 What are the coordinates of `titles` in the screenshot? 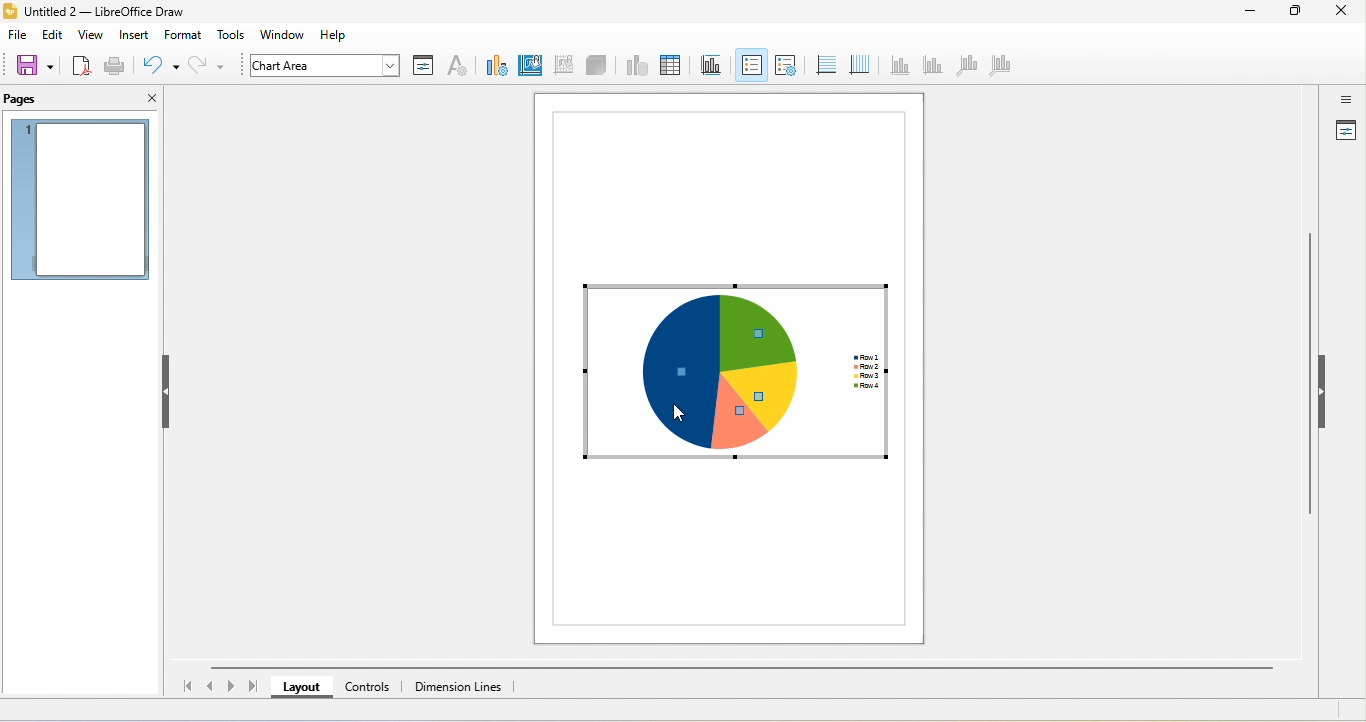 It's located at (708, 65).